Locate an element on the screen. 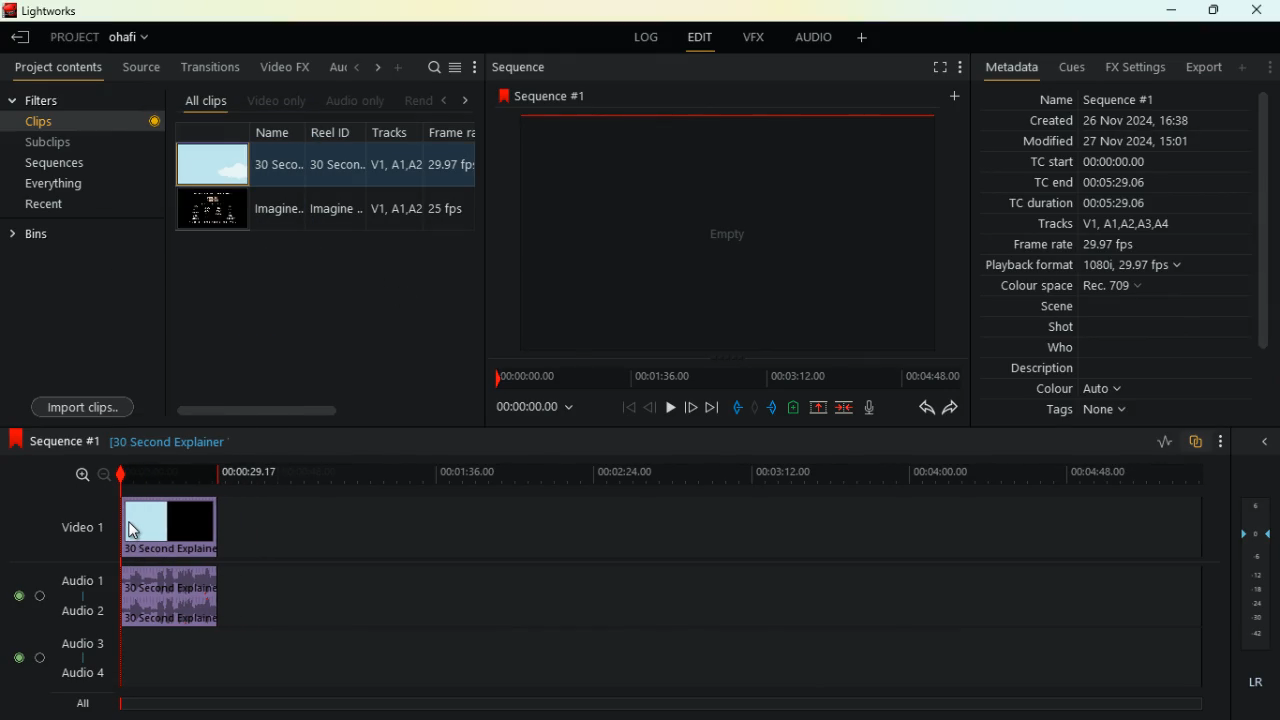 Image resolution: width=1280 pixels, height=720 pixels. audio only is located at coordinates (357, 100).